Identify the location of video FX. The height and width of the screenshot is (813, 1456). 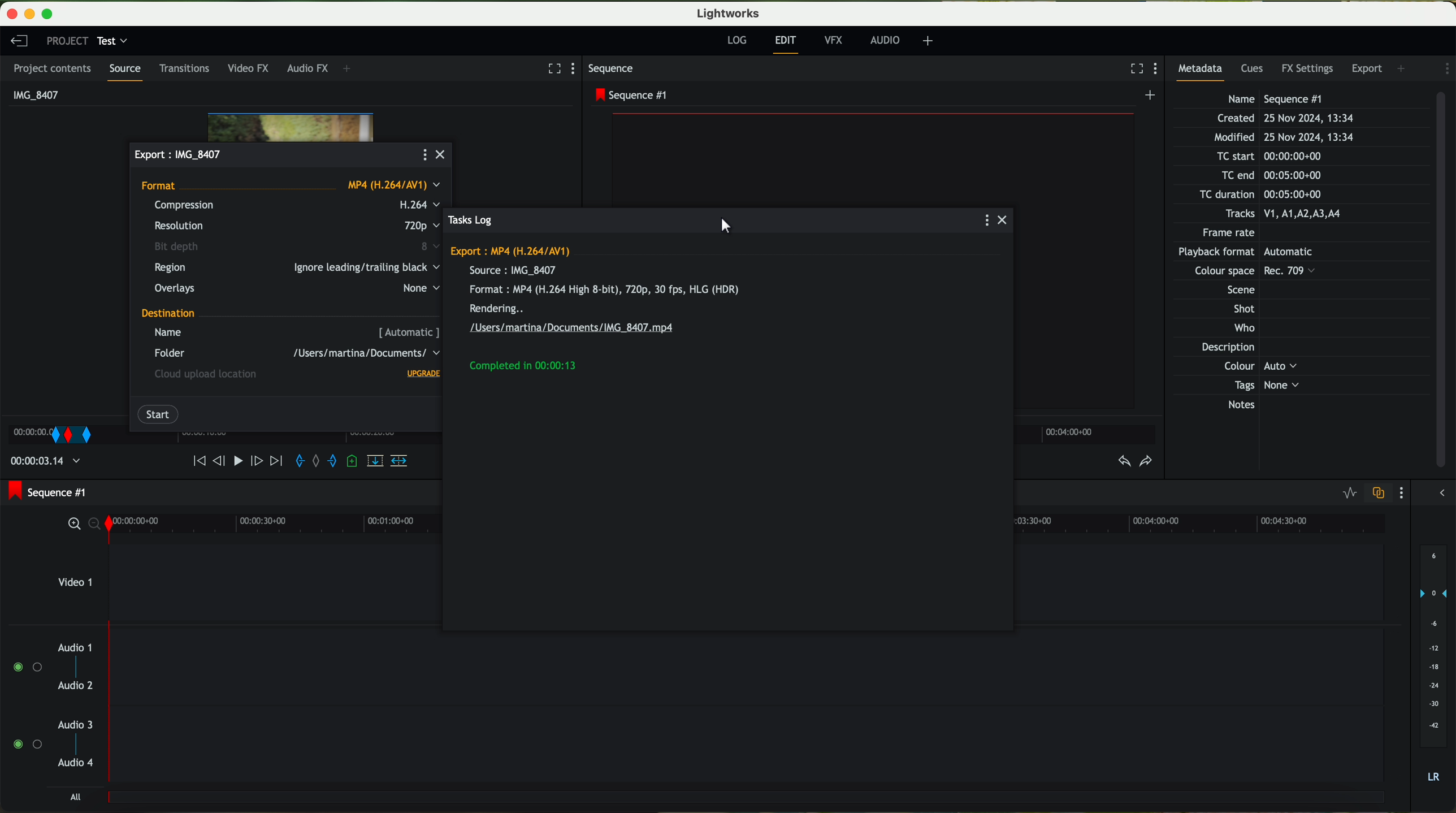
(251, 70).